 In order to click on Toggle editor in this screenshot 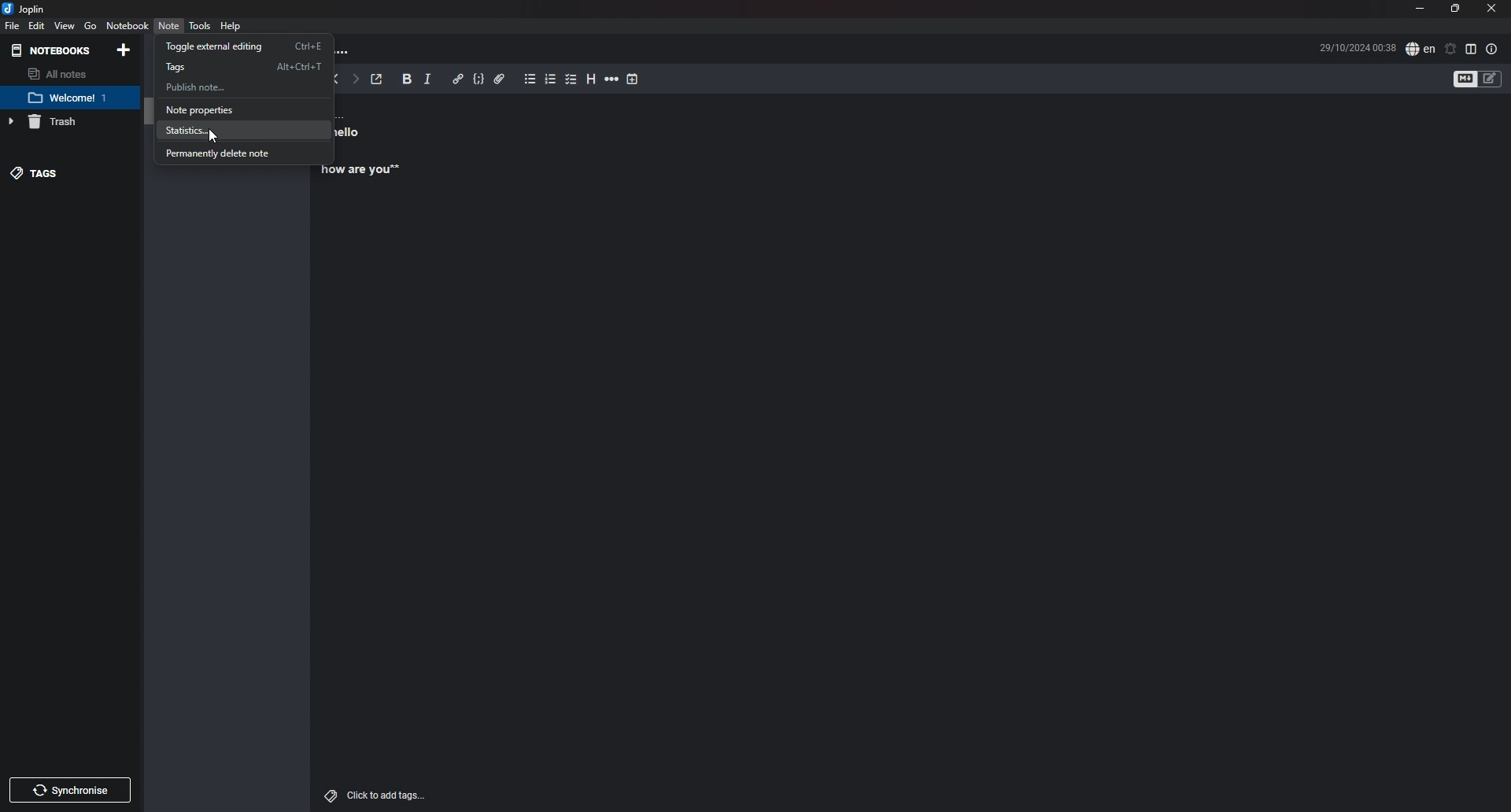, I will do `click(1478, 80)`.